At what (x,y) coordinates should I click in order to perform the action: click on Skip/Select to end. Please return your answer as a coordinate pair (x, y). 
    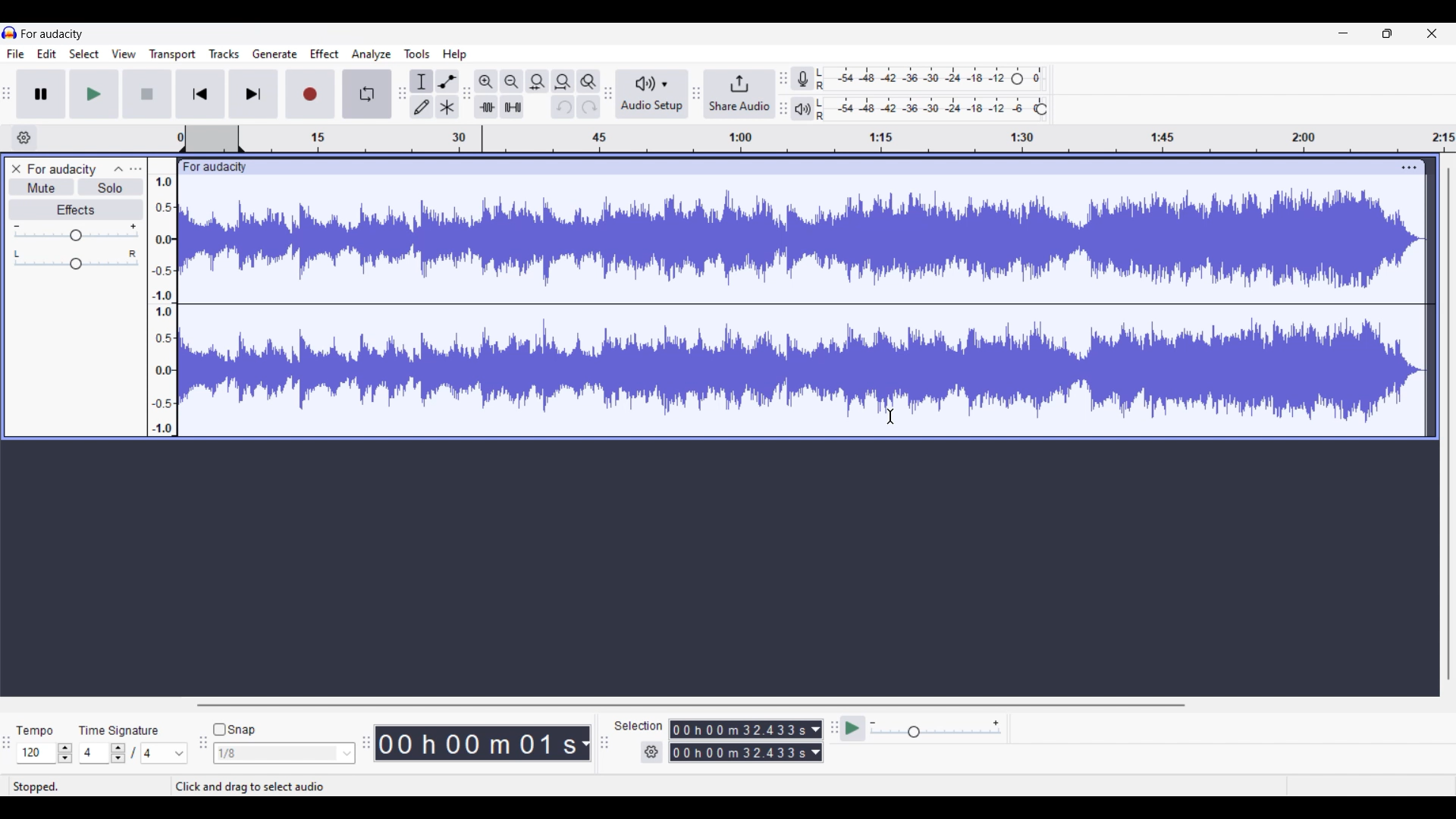
    Looking at the image, I should click on (254, 94).